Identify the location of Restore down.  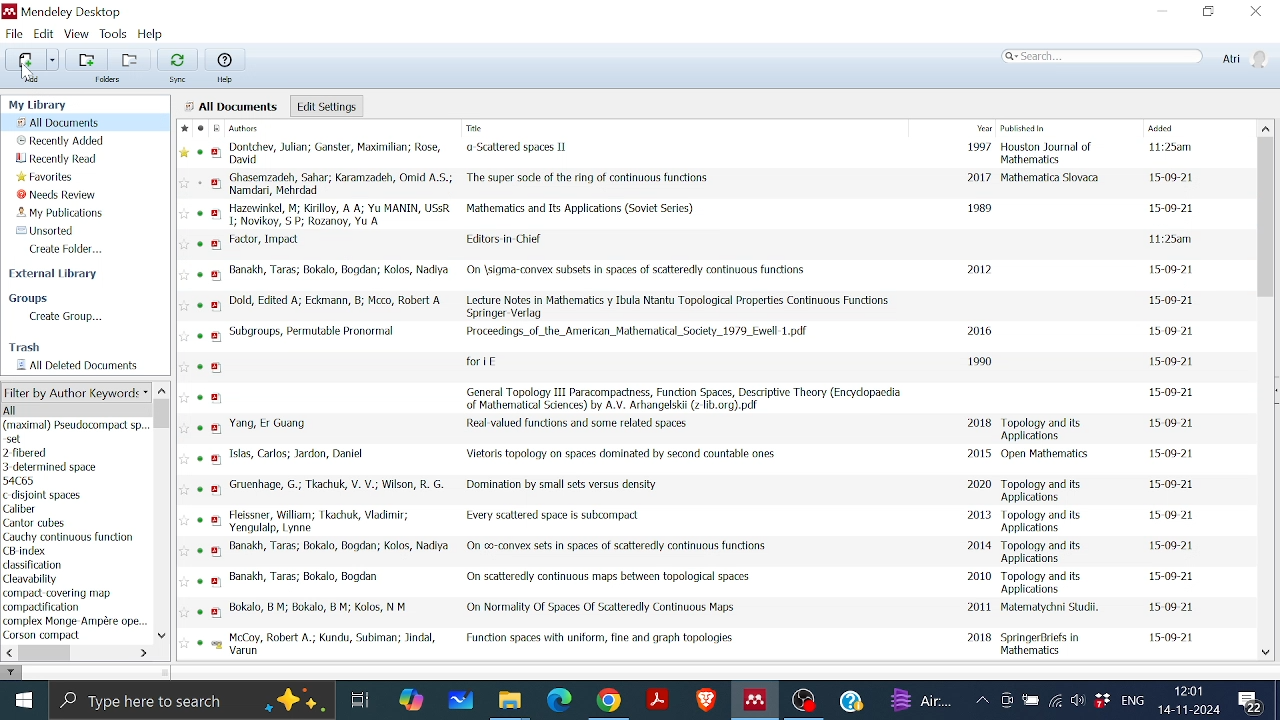
(1209, 12).